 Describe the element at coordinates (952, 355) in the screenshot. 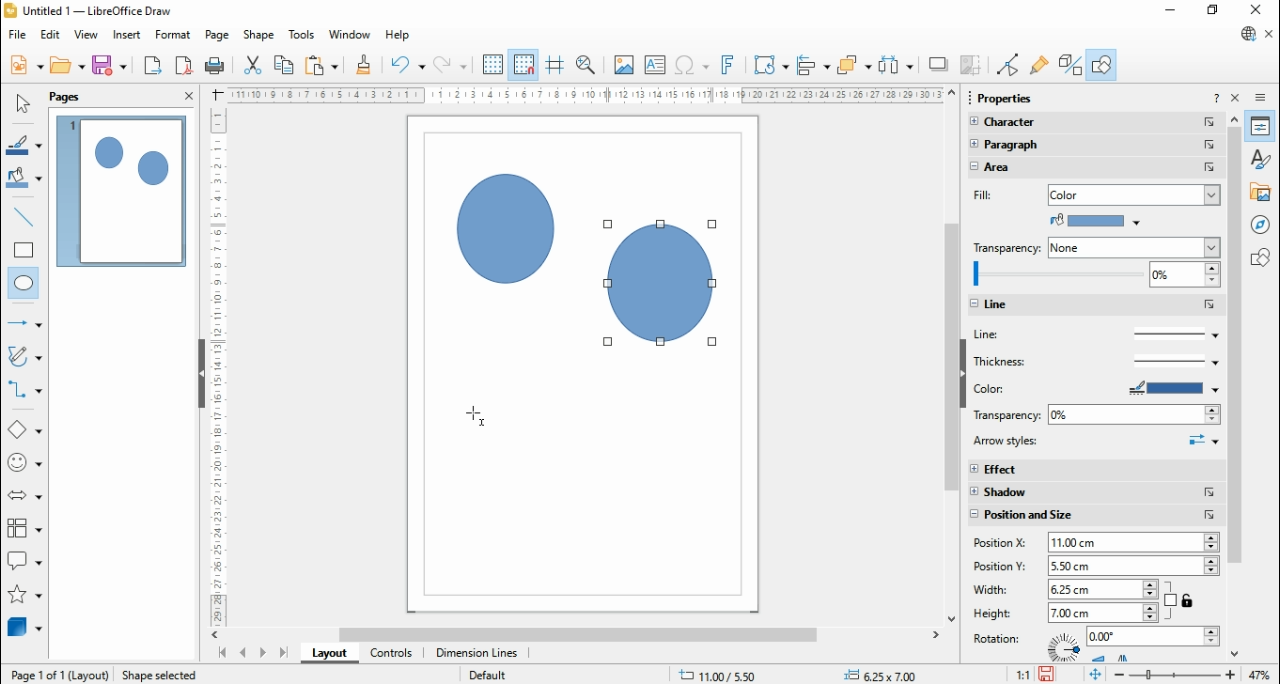

I see `scroll bar` at that location.